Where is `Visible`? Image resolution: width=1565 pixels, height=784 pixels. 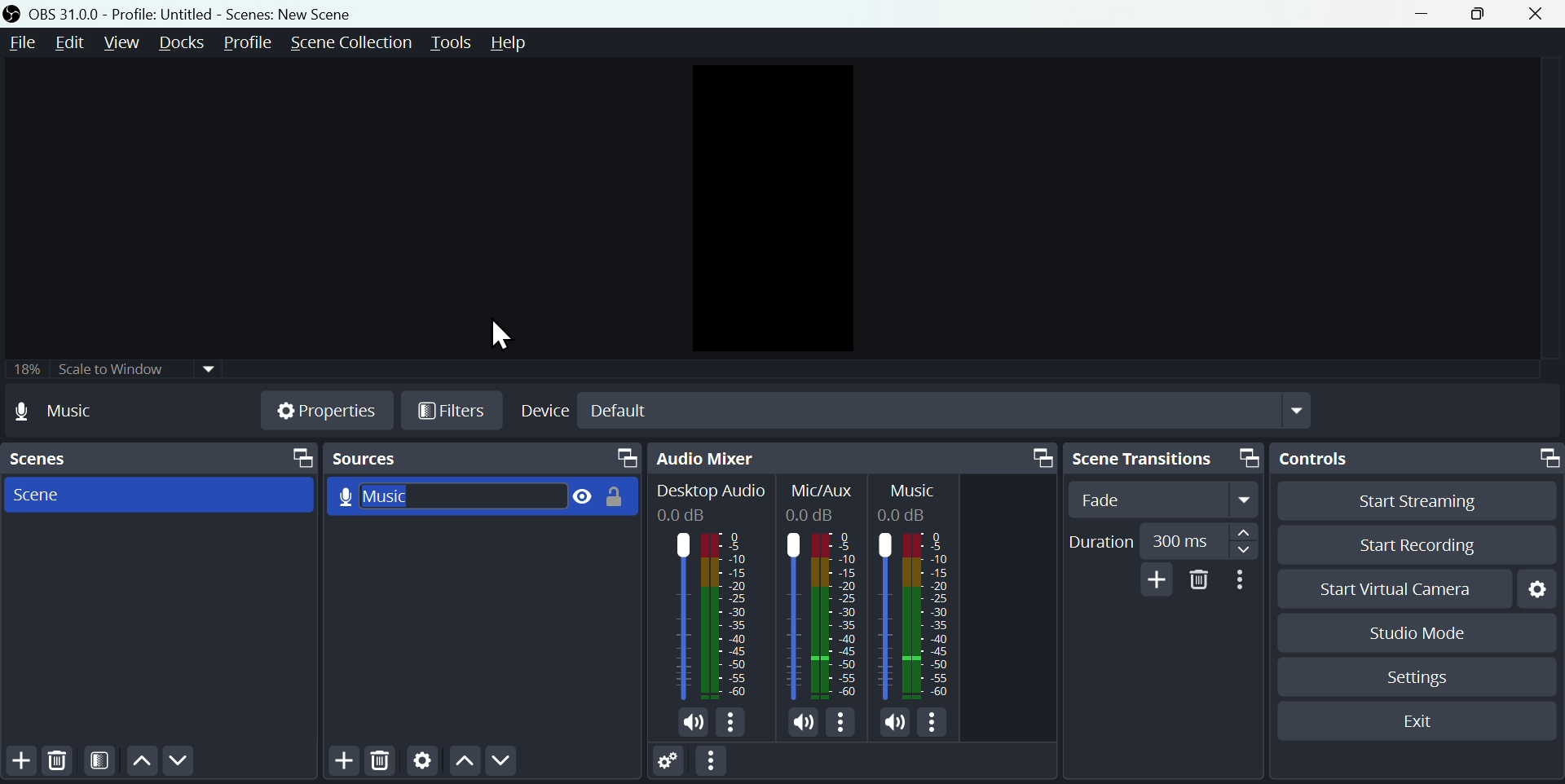
Visible is located at coordinates (582, 496).